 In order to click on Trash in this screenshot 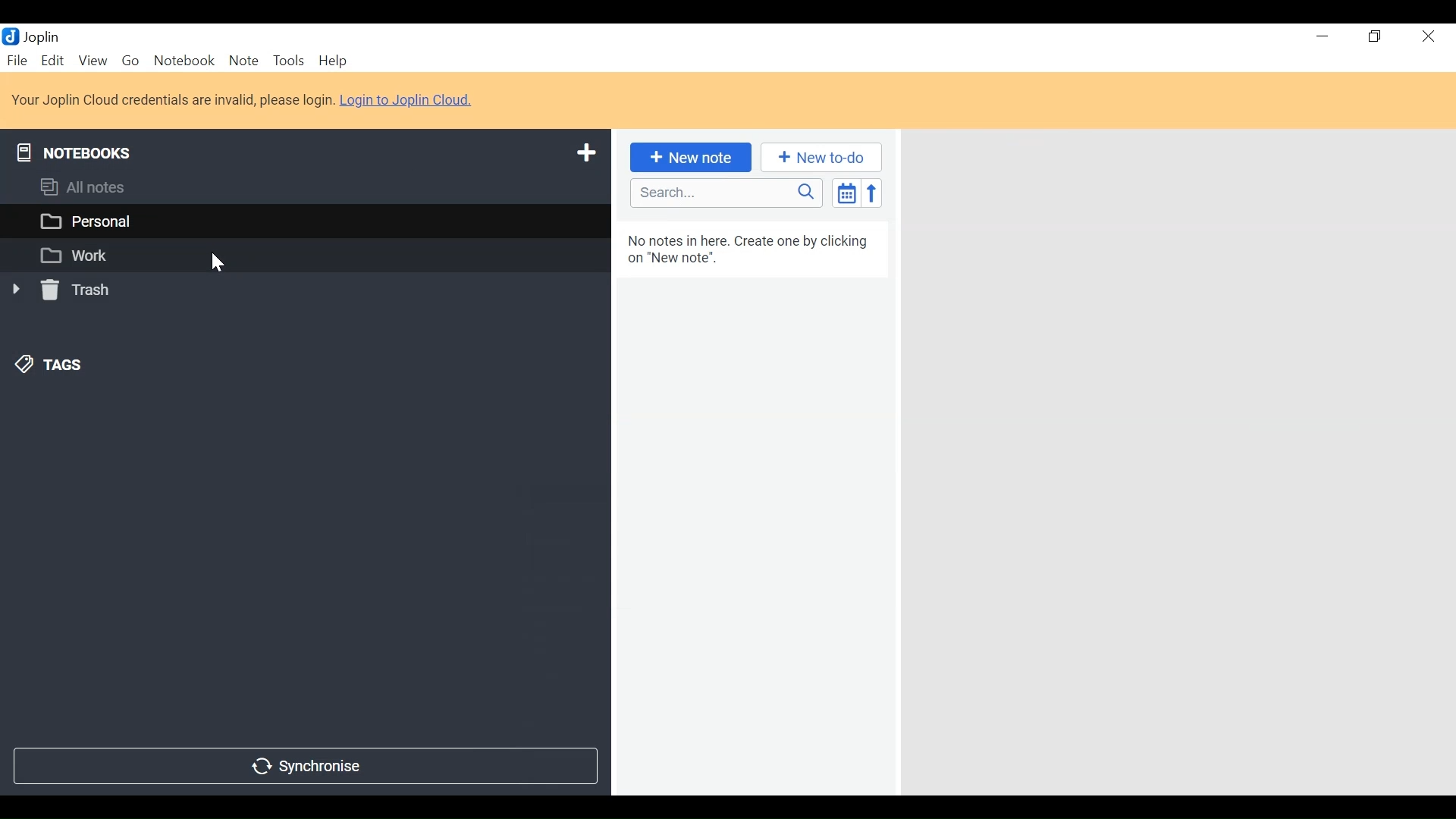, I will do `click(64, 292)`.